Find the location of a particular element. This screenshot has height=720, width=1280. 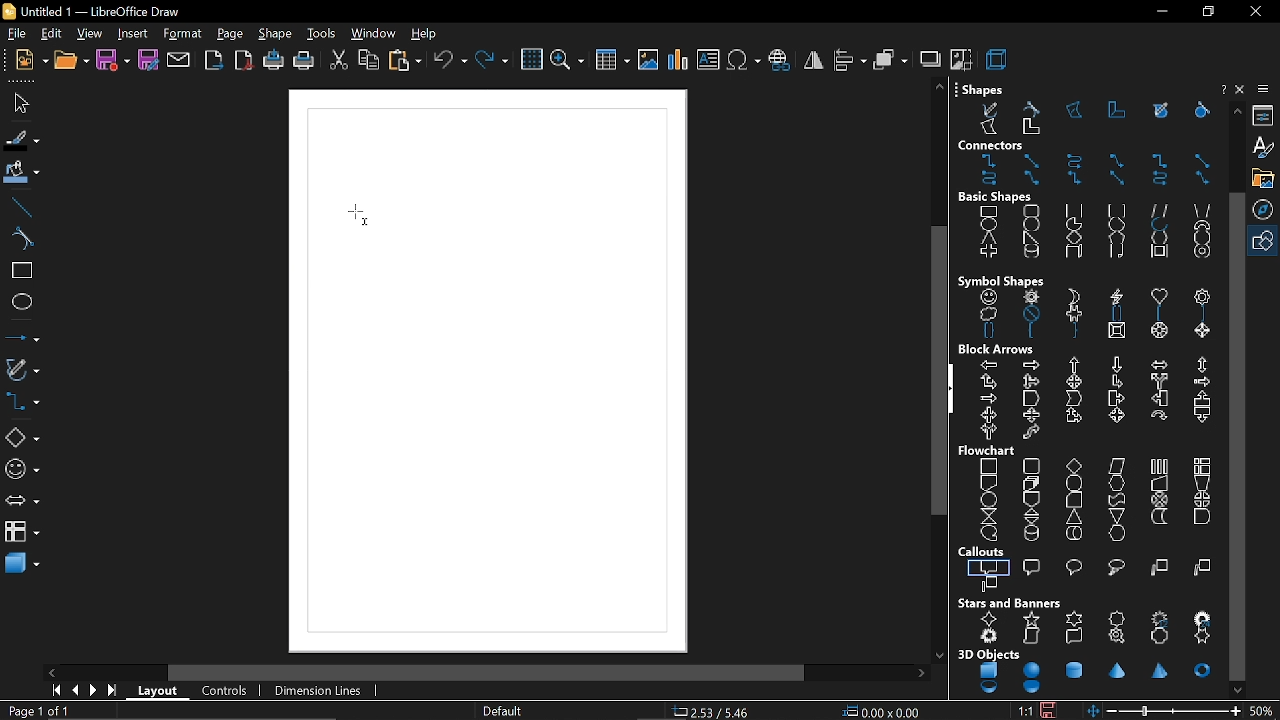

half sphere is located at coordinates (1032, 688).